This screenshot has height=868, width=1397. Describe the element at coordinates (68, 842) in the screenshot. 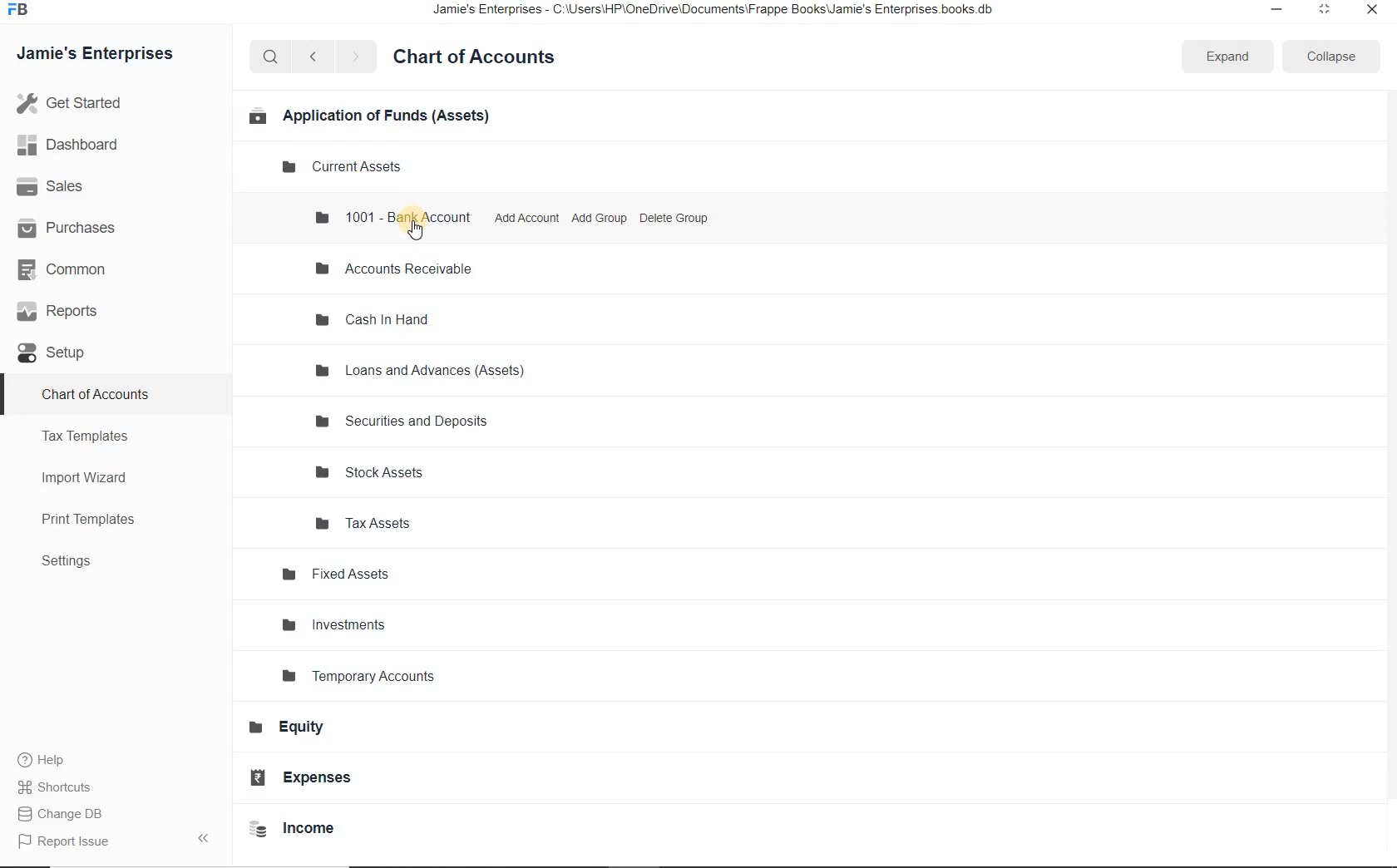

I see `Report Issue` at that location.